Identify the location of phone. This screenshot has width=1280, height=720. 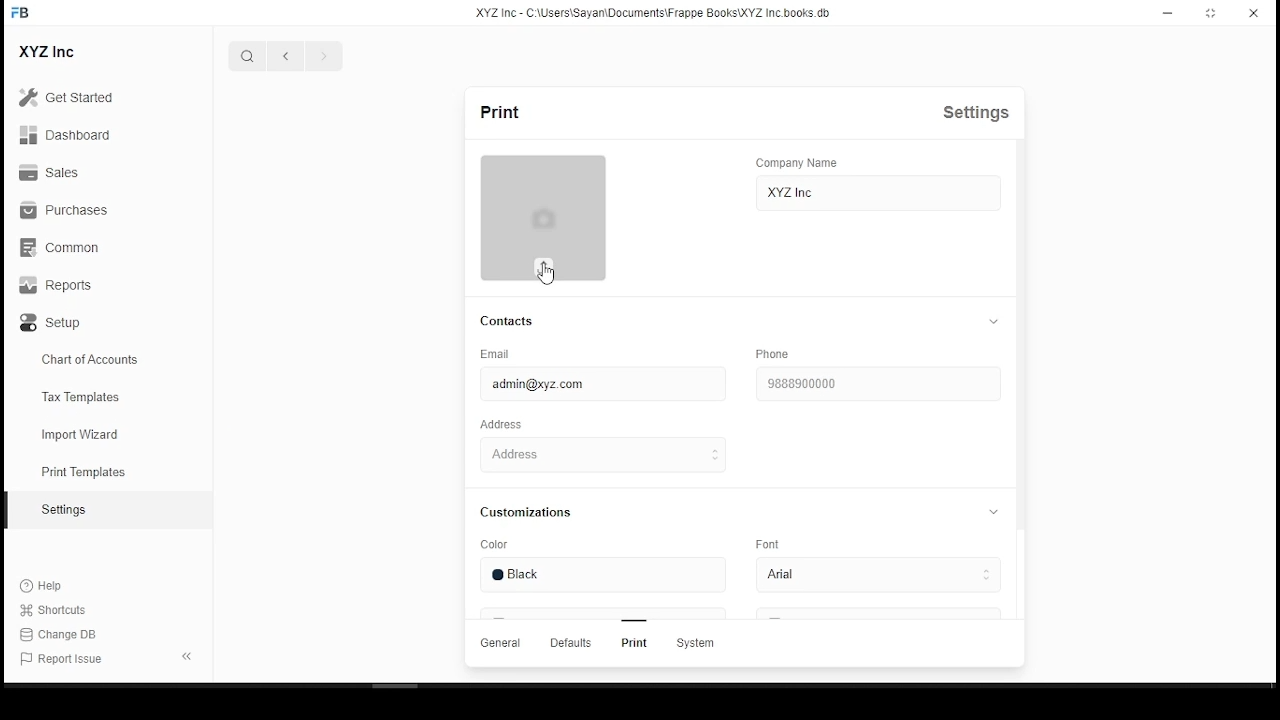
(773, 354).